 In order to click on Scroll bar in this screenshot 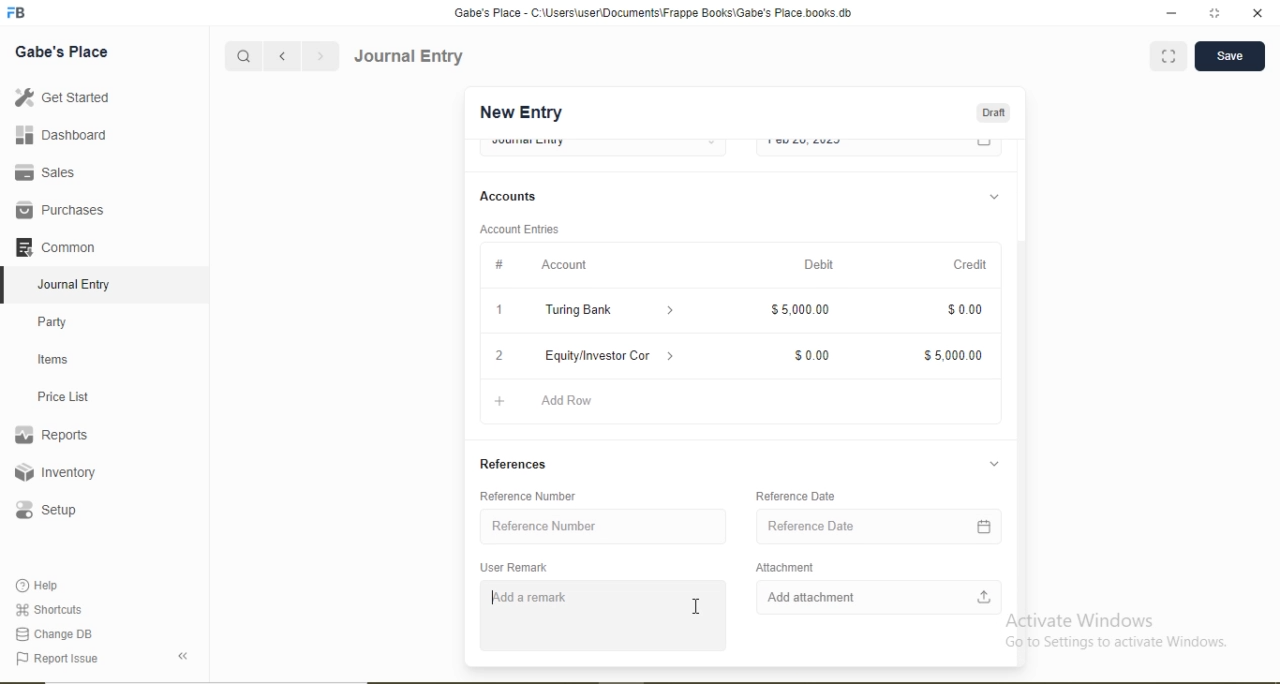, I will do `click(1021, 386)`.